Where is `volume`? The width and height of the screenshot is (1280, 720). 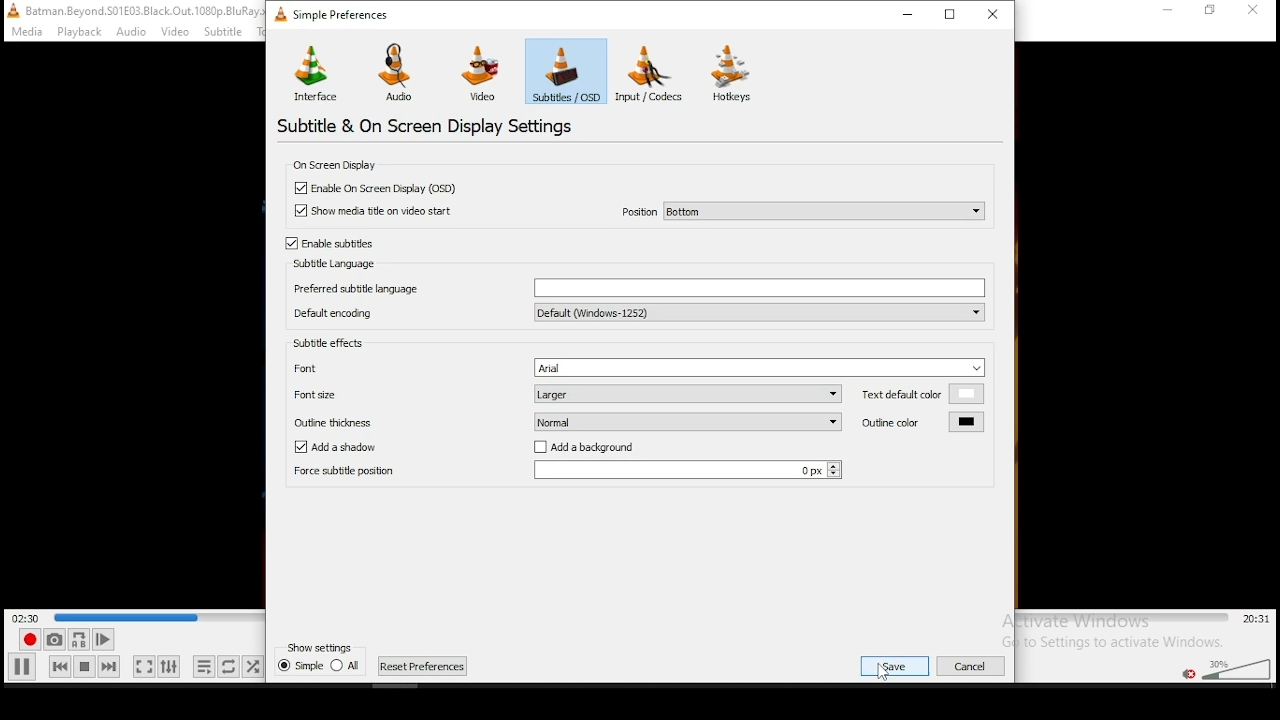
volume is located at coordinates (1238, 667).